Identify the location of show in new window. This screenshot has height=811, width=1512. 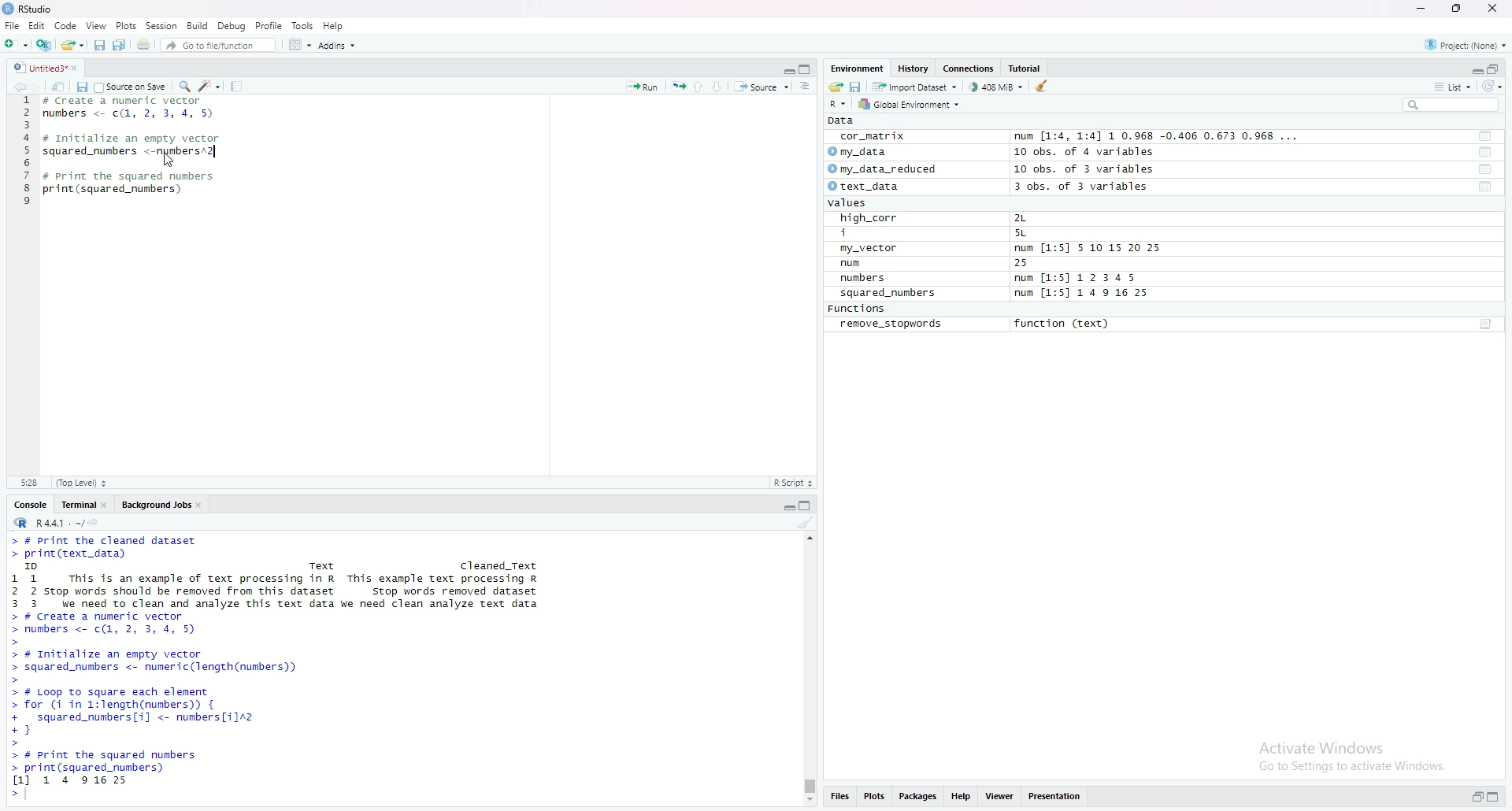
(58, 85).